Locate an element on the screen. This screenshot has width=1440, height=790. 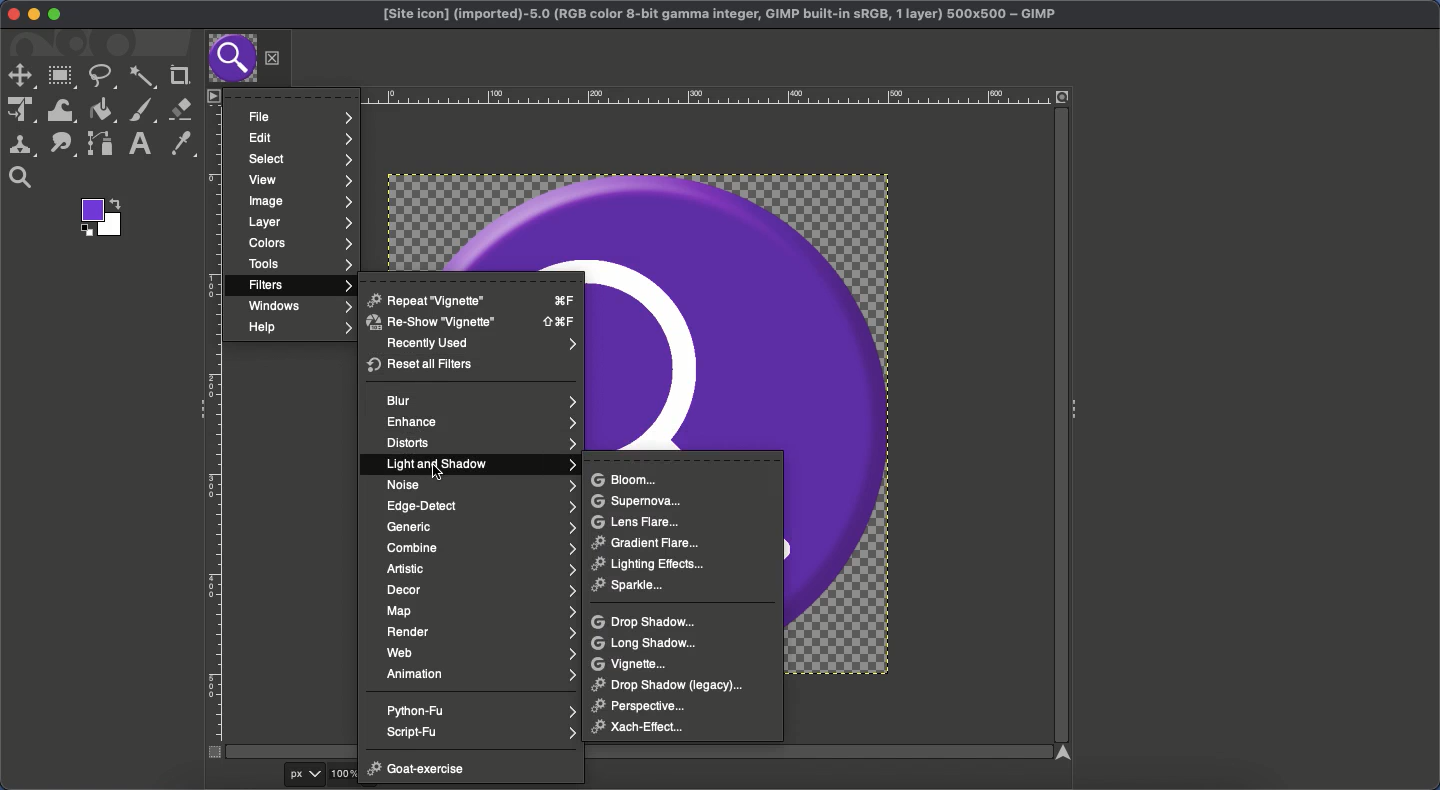
Animation is located at coordinates (481, 674).